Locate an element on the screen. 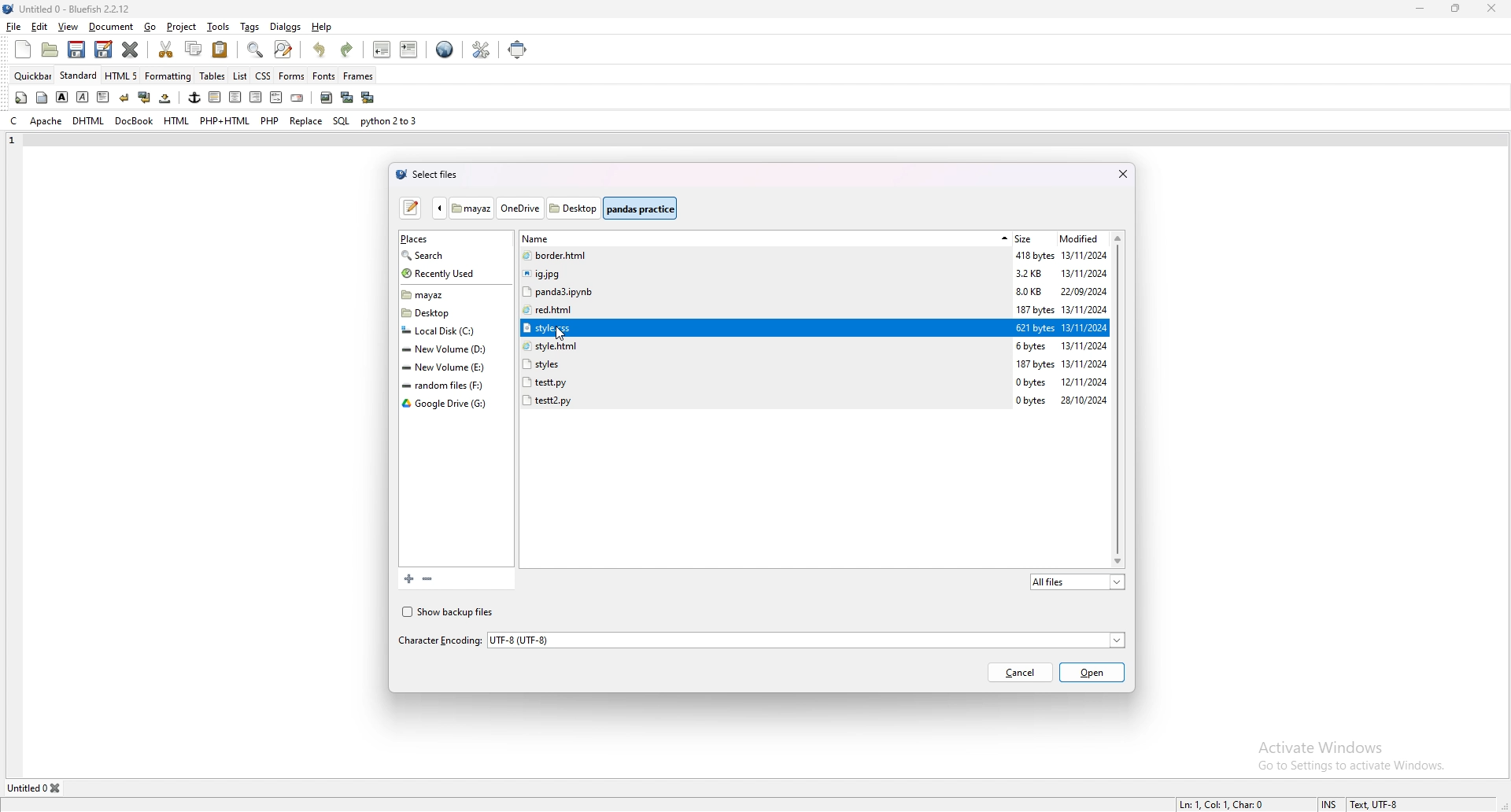 Image resolution: width=1511 pixels, height=812 pixels. file is located at coordinates (765, 256).